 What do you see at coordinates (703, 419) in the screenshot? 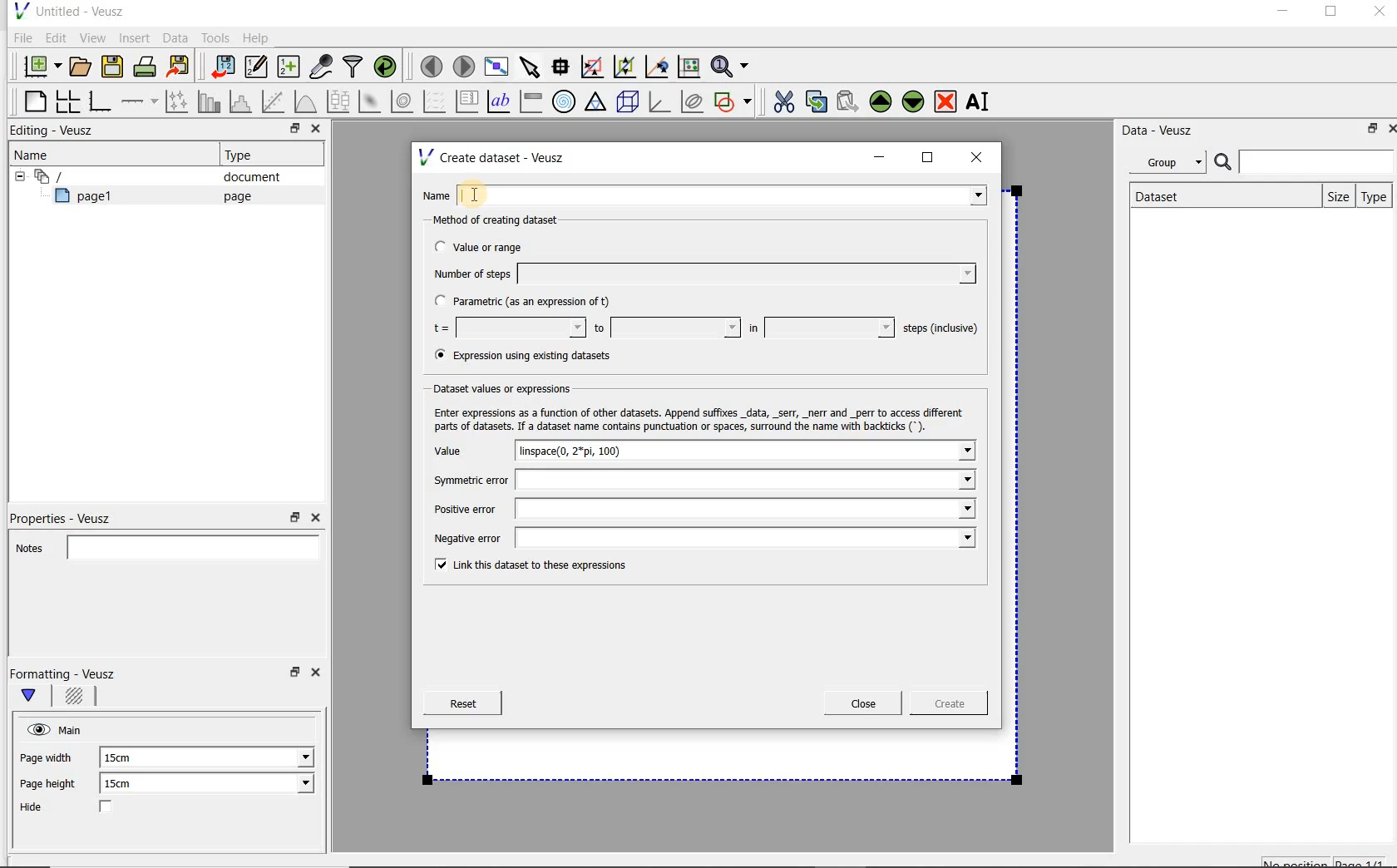
I see `Enter expressions as a function of other datasets. Append suffixes _data, _serr, _nerr and _perr to access different
parts of datasets. If a dataset name contains punctuation or spaces, surround the name with backticks (*).` at bounding box center [703, 419].